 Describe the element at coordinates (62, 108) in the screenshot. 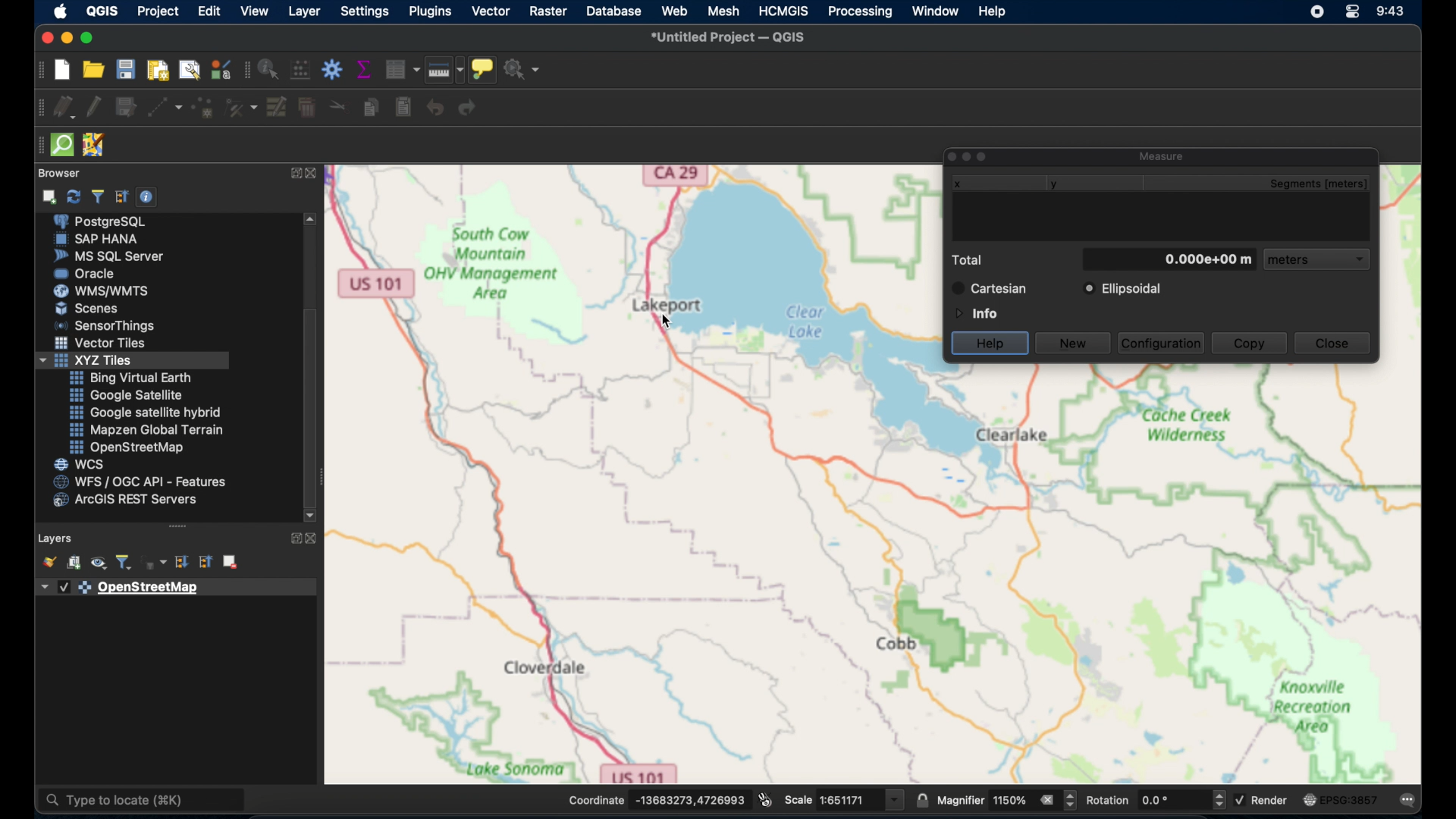

I see `current layer edits` at that location.